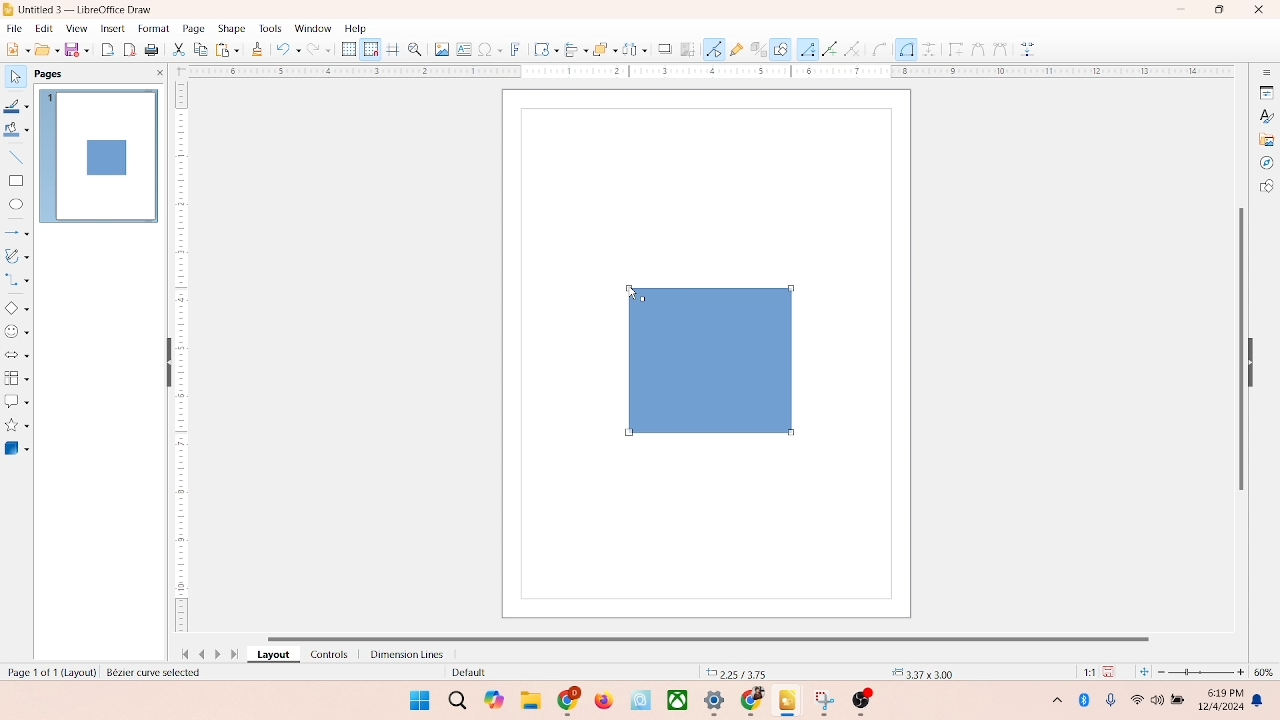 Image resolution: width=1280 pixels, height=720 pixels. What do you see at coordinates (490, 49) in the screenshot?
I see `special character` at bounding box center [490, 49].